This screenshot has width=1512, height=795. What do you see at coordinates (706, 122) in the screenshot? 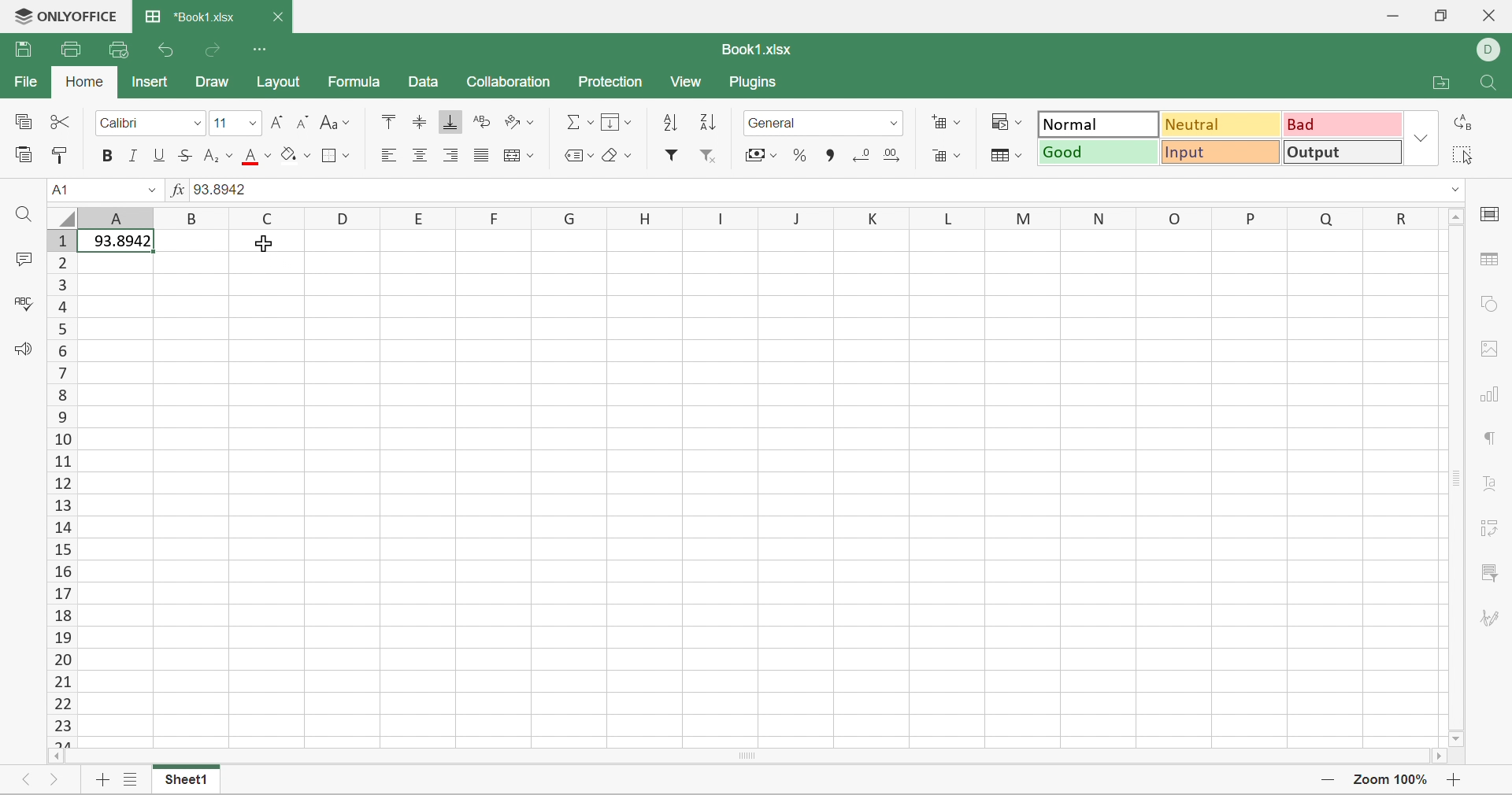
I see `Descending order` at bounding box center [706, 122].